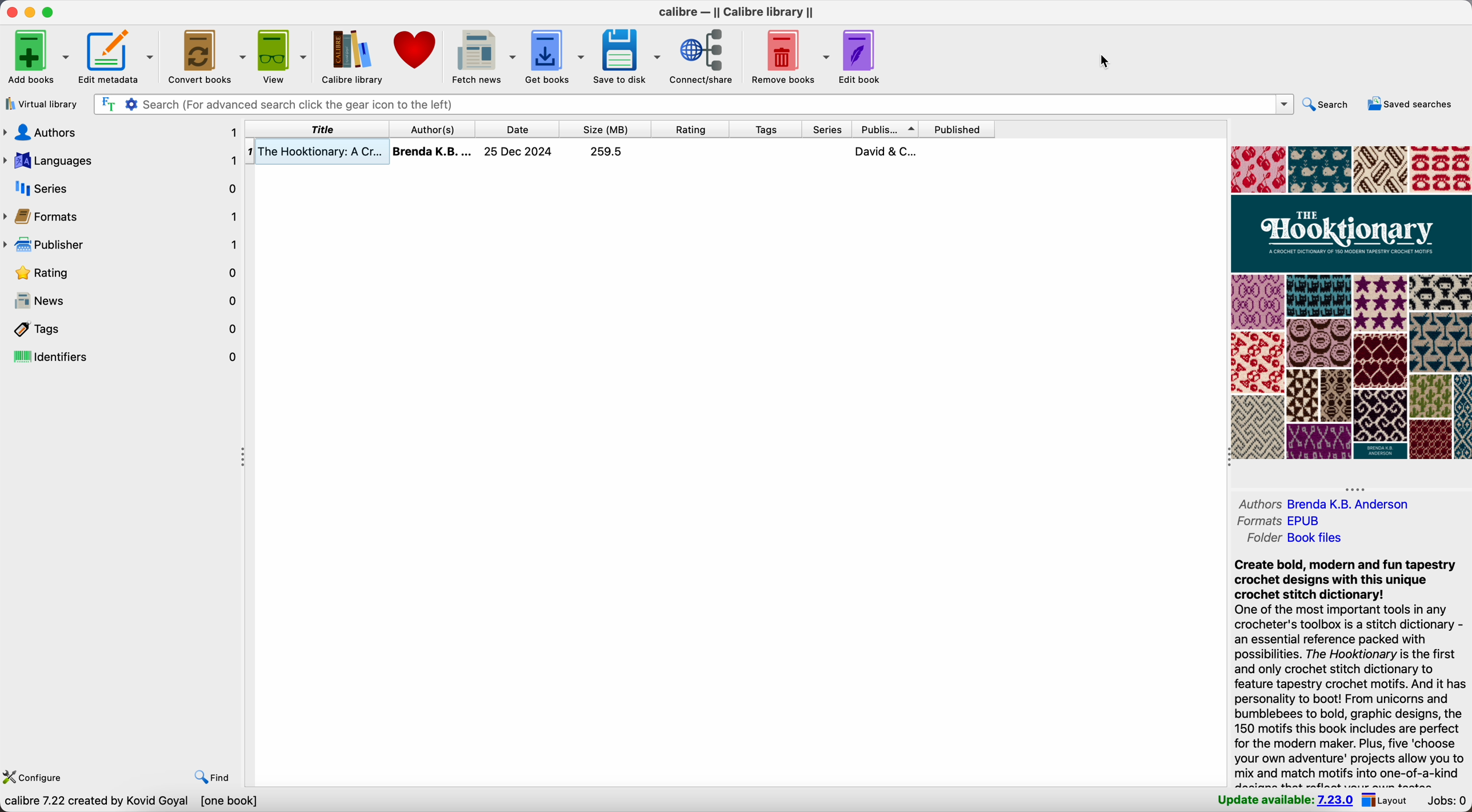 The height and width of the screenshot is (812, 1472). What do you see at coordinates (122, 242) in the screenshot?
I see `publisher` at bounding box center [122, 242].